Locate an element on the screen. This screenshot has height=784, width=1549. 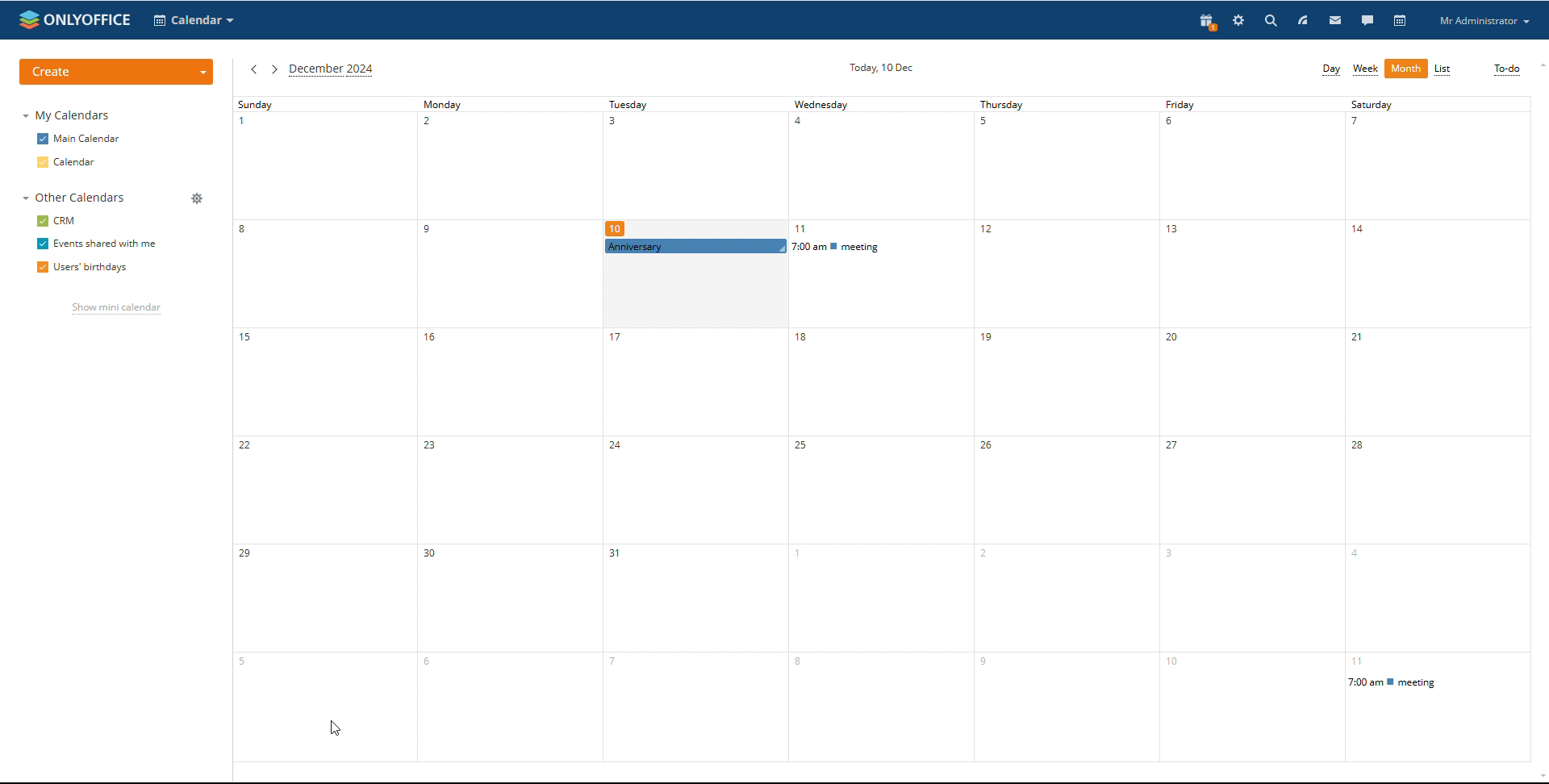
friday is located at coordinates (1246, 429).